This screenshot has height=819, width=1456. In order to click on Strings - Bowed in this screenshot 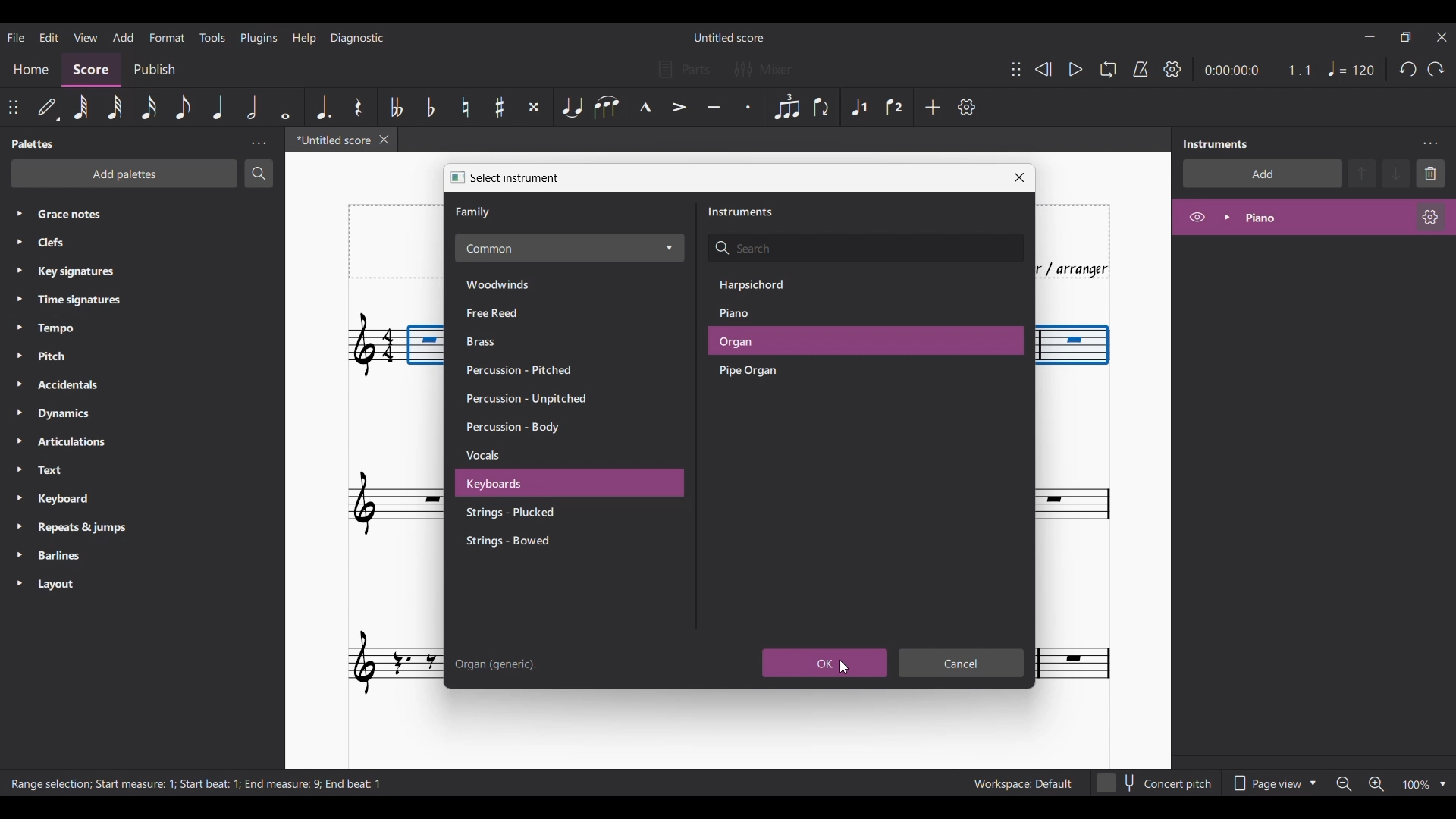, I will do `click(530, 541)`.